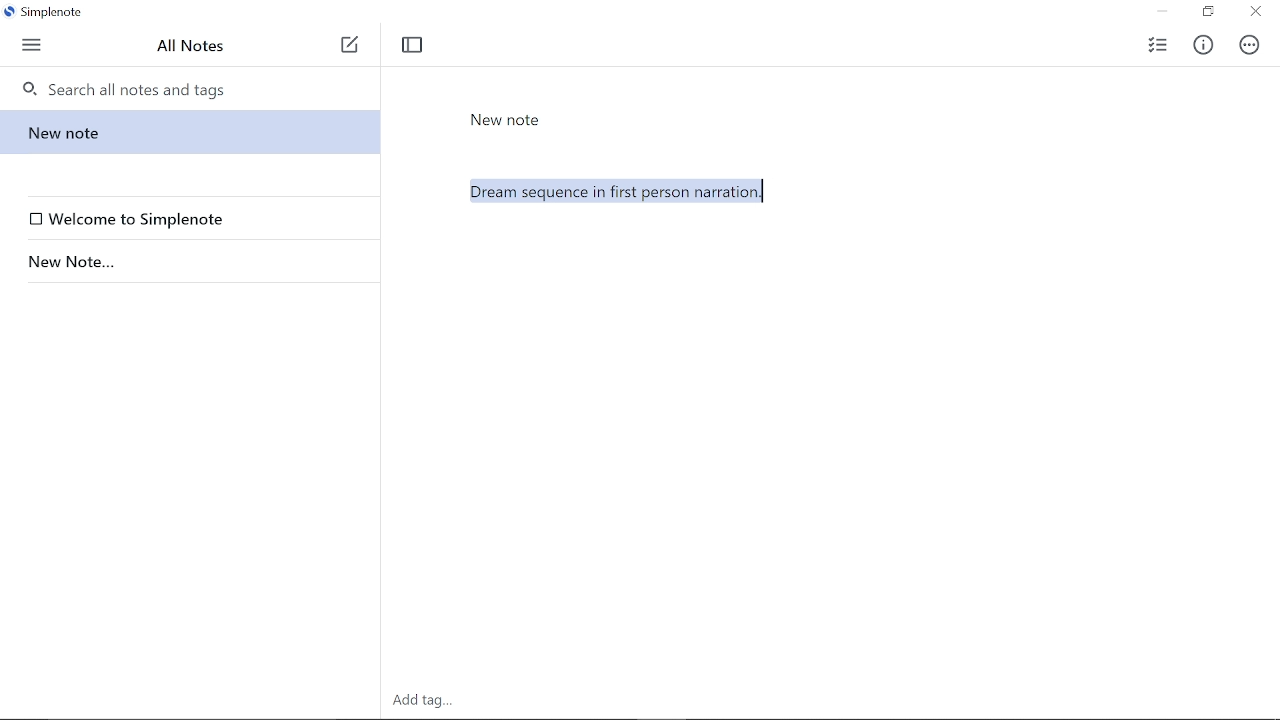  I want to click on New Note, so click(506, 120).